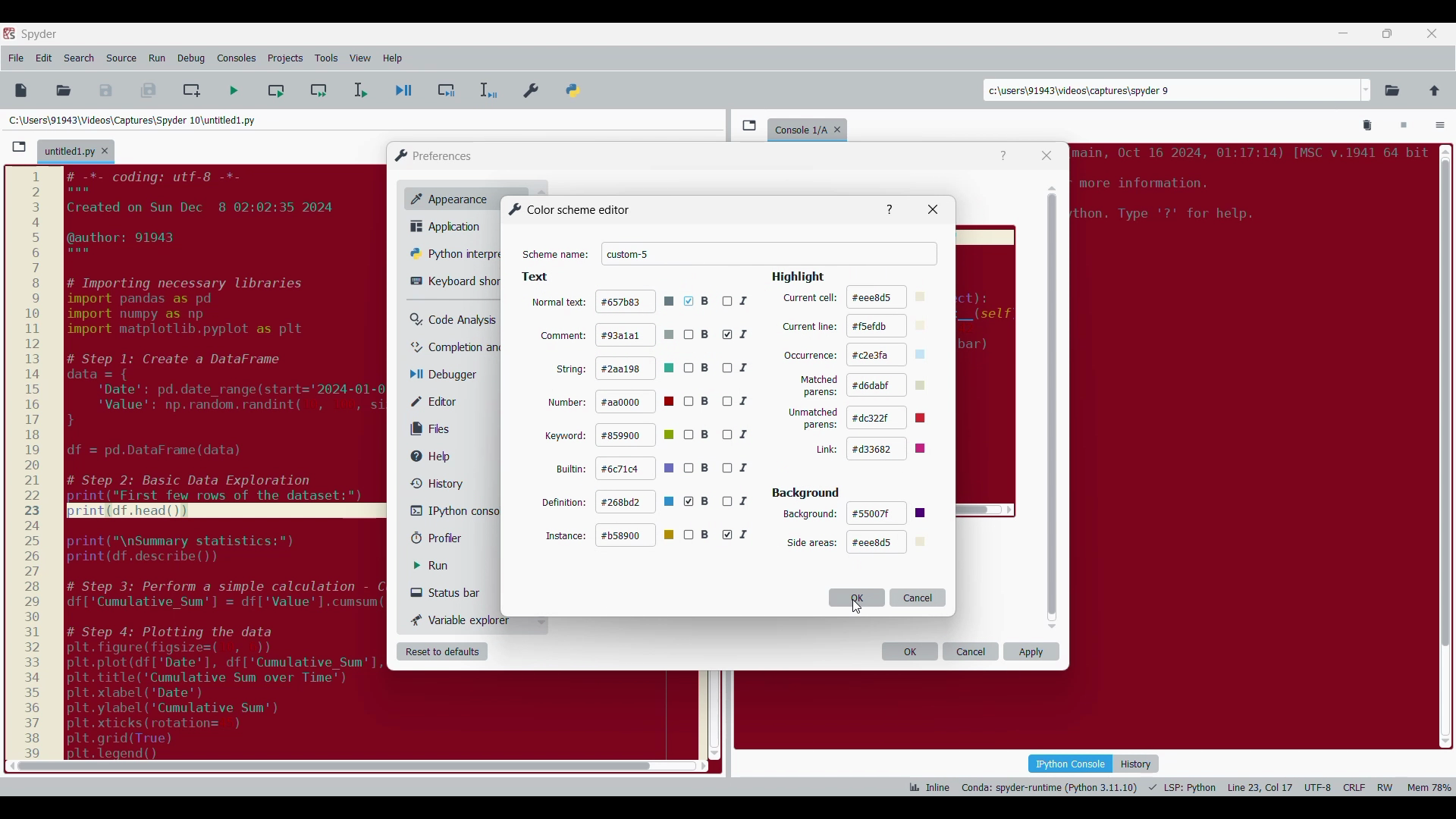 The image size is (1456, 819). What do you see at coordinates (698, 435) in the screenshot?
I see `B` at bounding box center [698, 435].